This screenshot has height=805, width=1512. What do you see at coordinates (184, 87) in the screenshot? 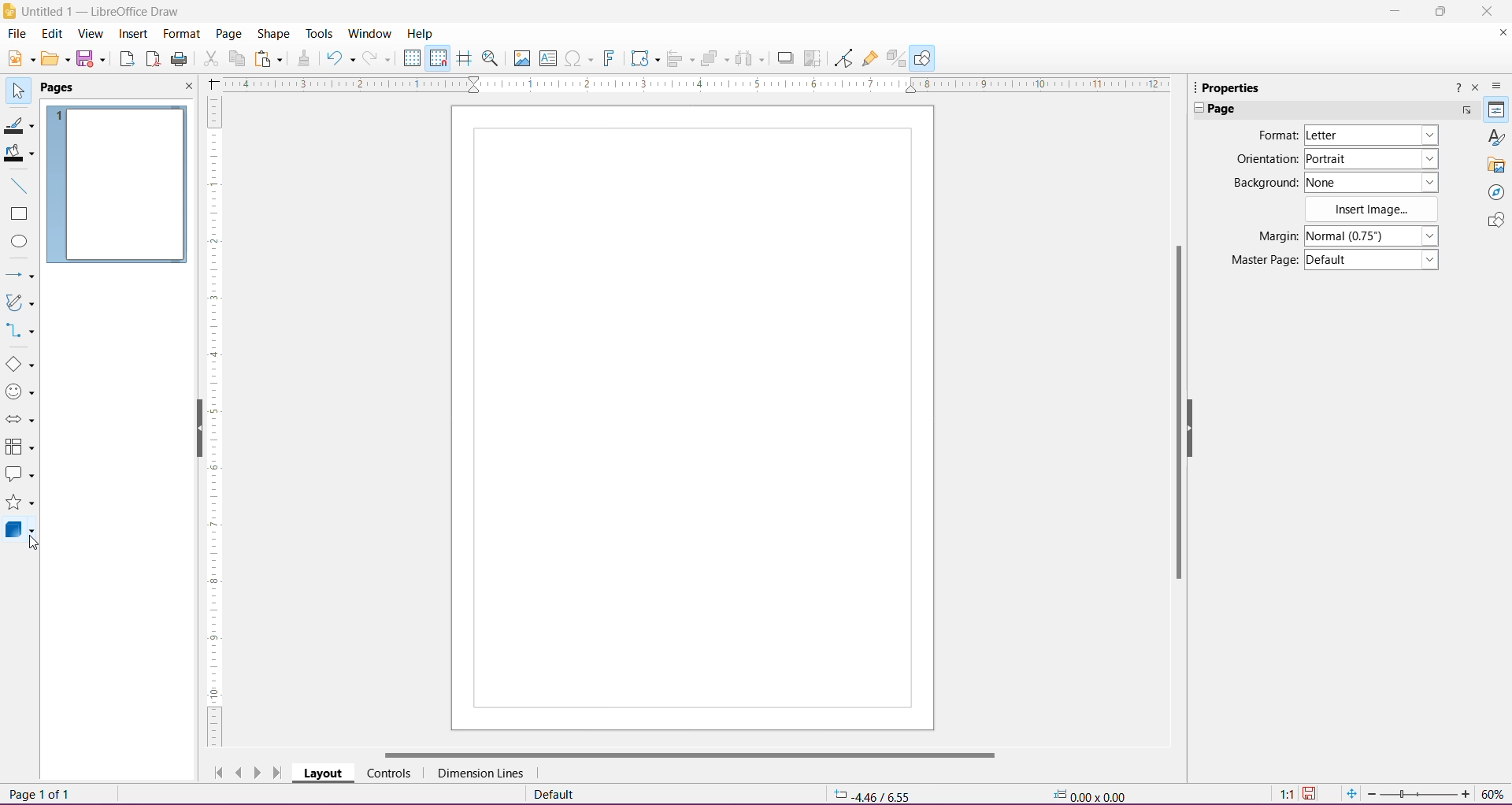
I see `Close Pane` at bounding box center [184, 87].